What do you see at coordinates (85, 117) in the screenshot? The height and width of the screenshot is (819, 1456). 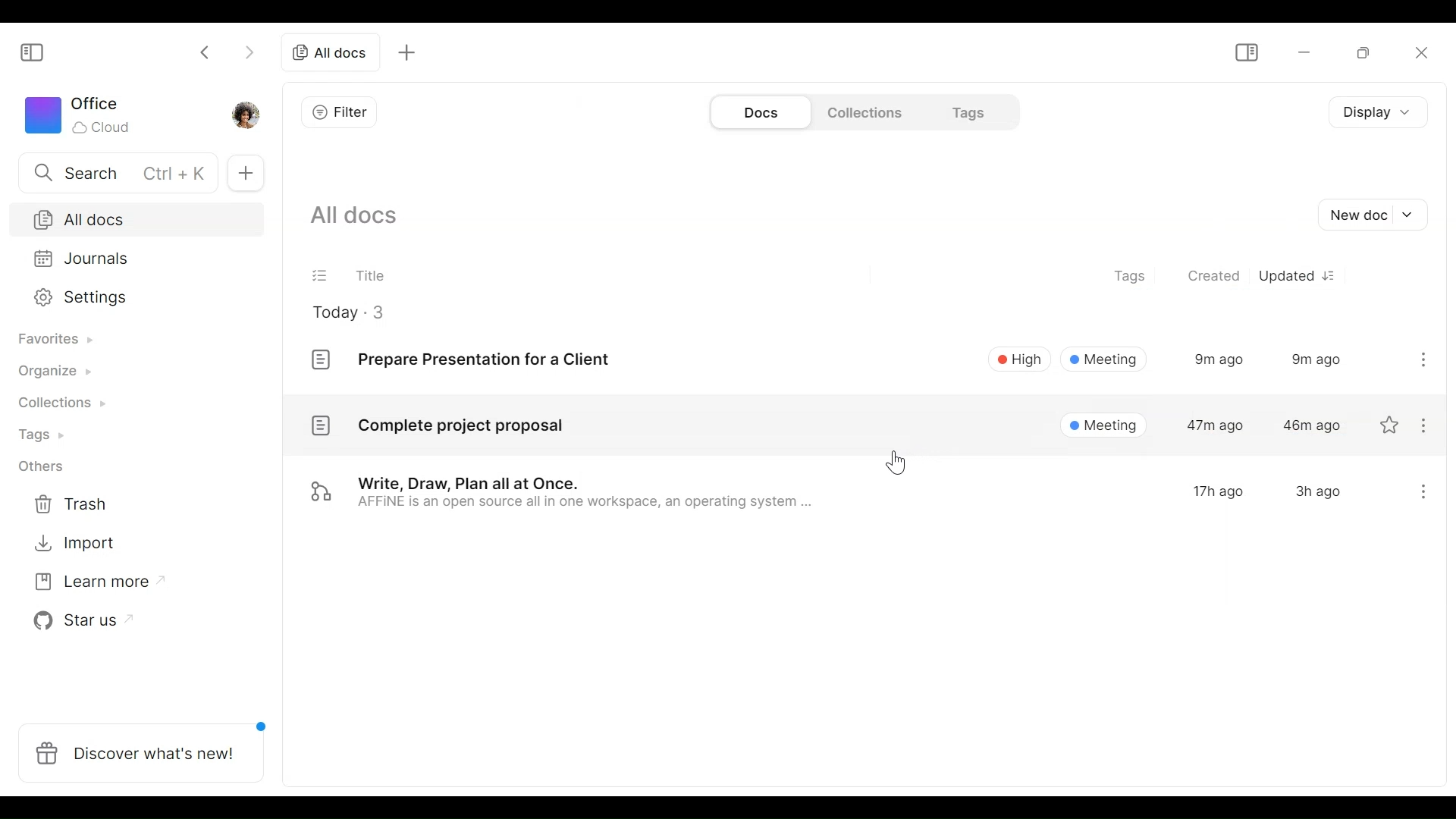 I see `Worksapce` at bounding box center [85, 117].